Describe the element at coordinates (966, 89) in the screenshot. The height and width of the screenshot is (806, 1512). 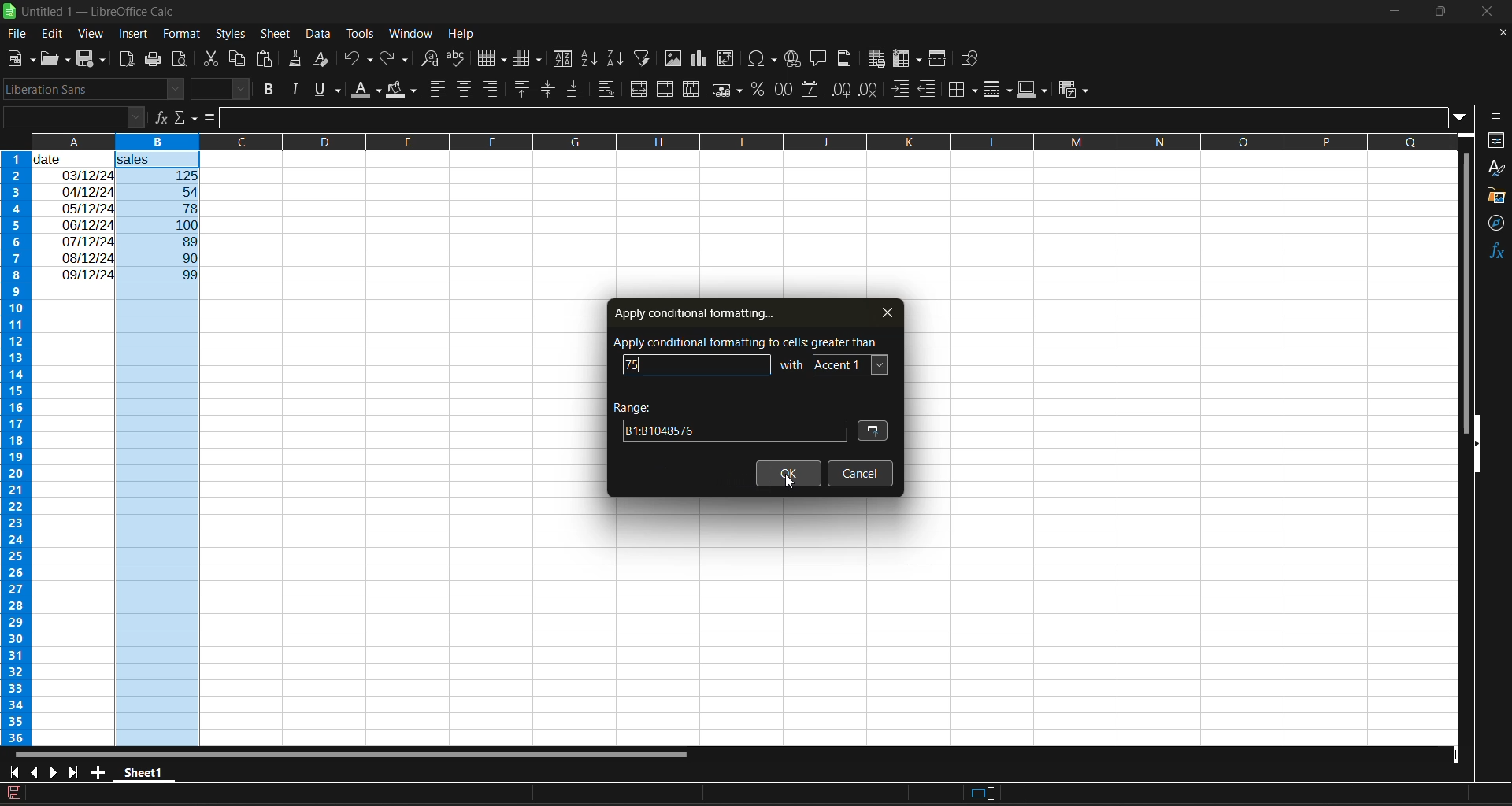
I see `borders` at that location.